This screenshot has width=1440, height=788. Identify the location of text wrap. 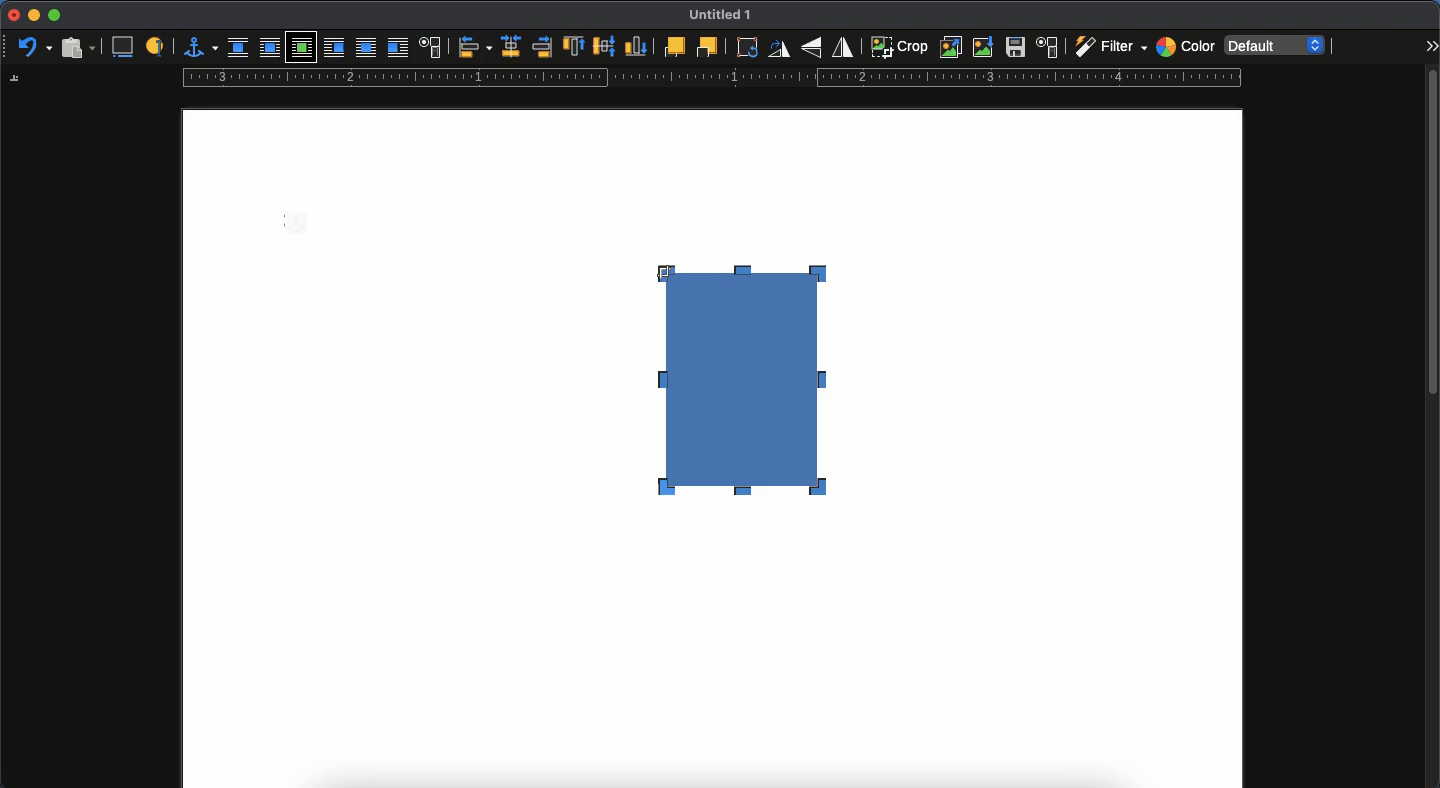
(431, 49).